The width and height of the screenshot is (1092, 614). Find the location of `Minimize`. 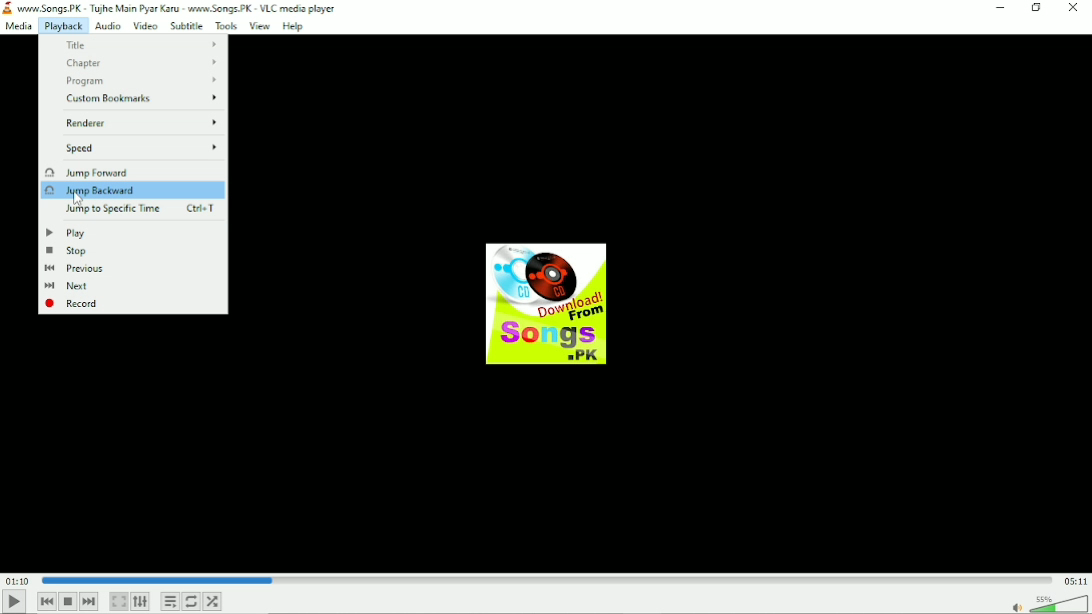

Minimize is located at coordinates (999, 7).